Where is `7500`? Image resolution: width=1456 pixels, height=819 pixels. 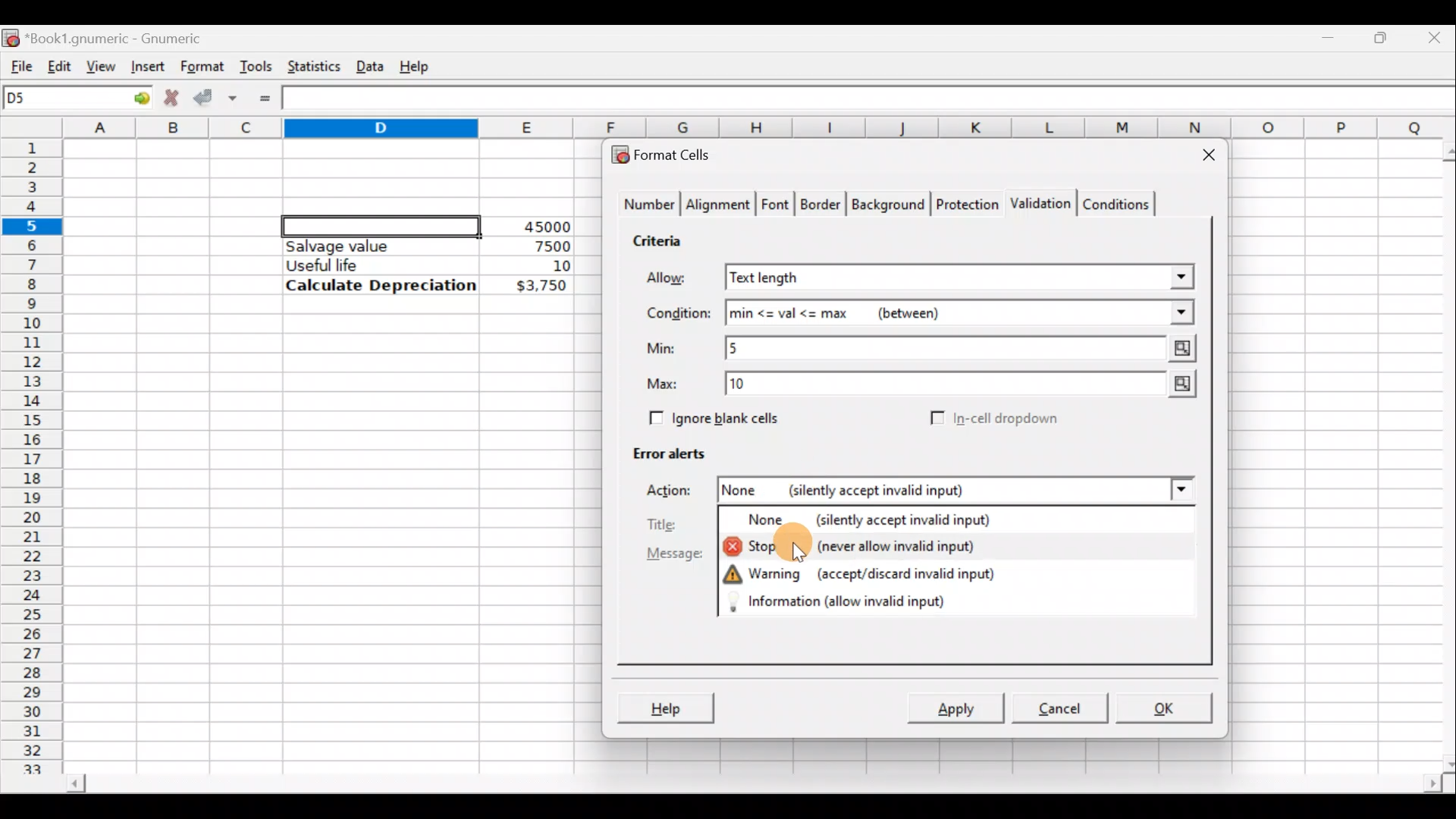 7500 is located at coordinates (528, 245).